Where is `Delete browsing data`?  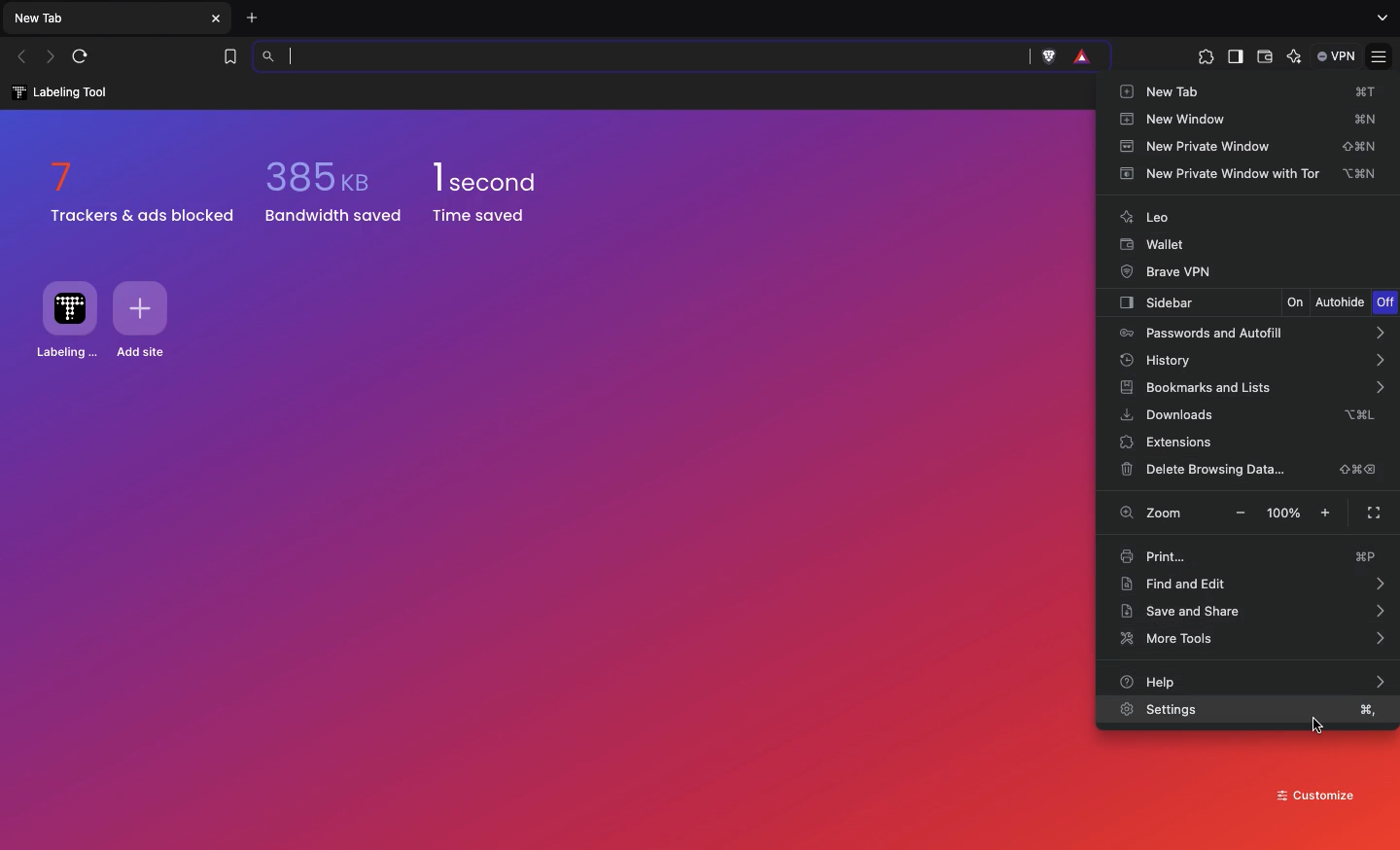
Delete browsing data is located at coordinates (1250, 473).